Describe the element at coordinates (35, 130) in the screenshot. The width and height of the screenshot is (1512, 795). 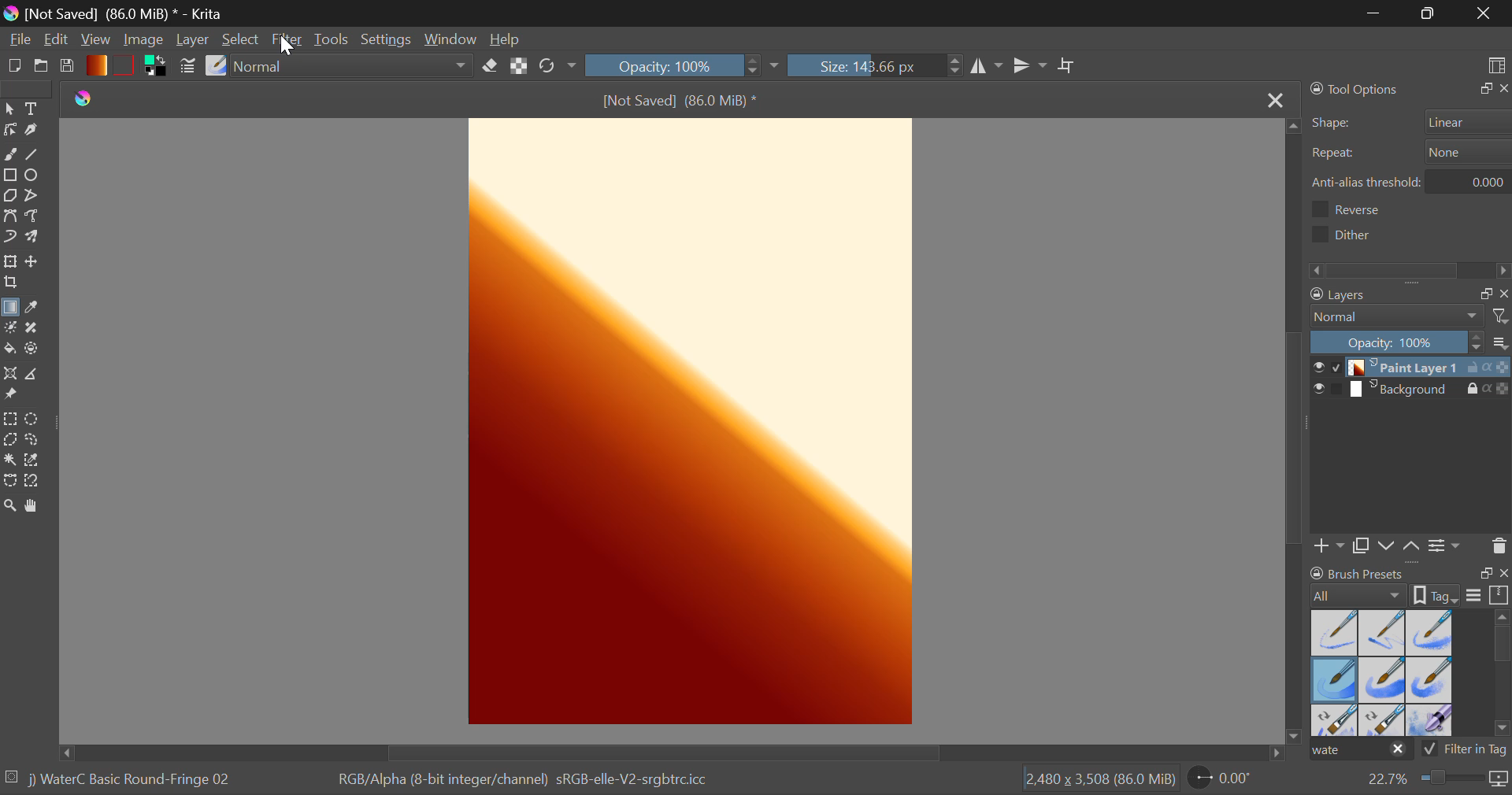
I see `Calligraphic Tool` at that location.